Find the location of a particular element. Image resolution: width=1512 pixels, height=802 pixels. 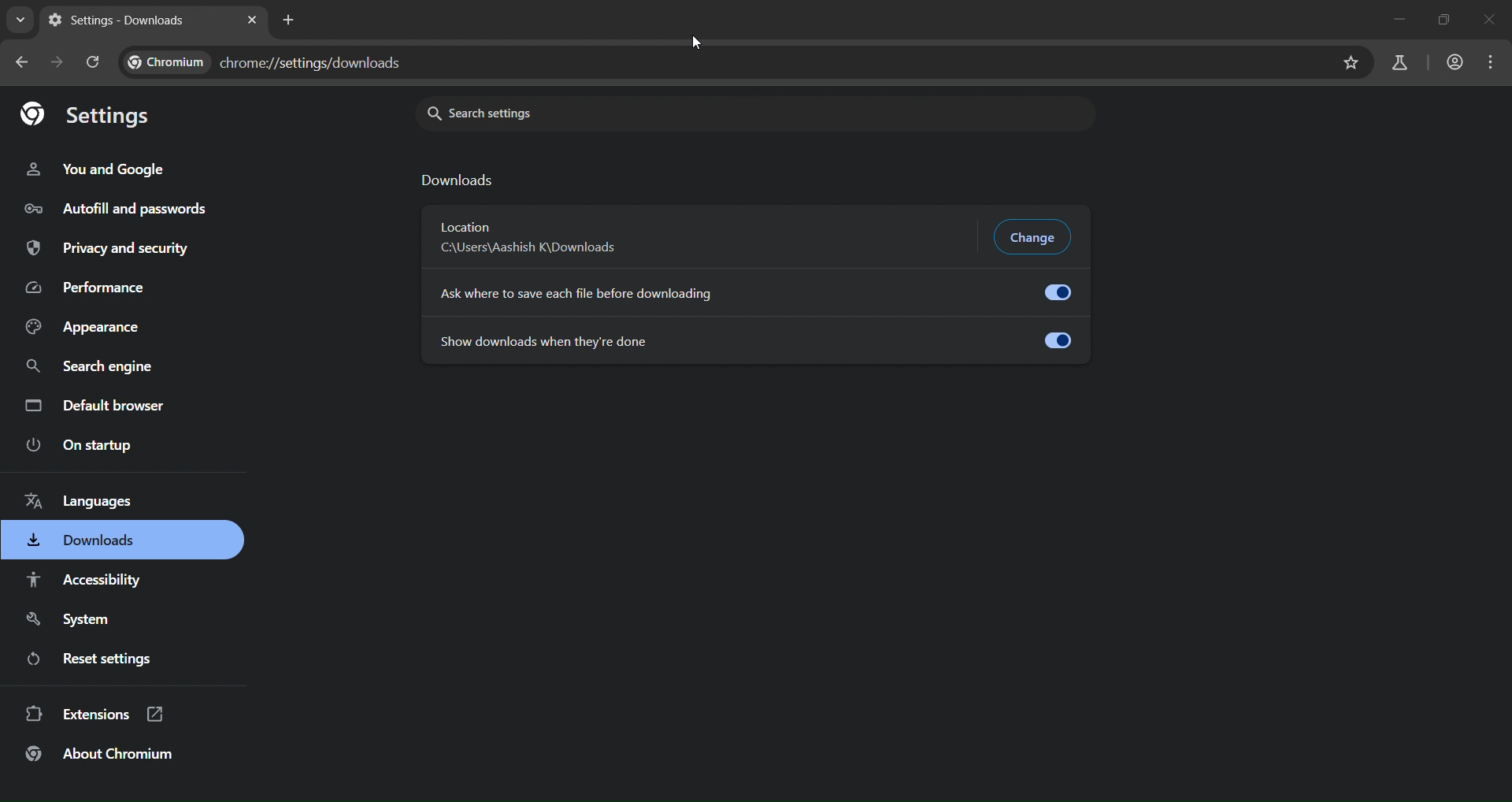

LocationC:\Users\Ashish K\Downloads is located at coordinates (539, 237).